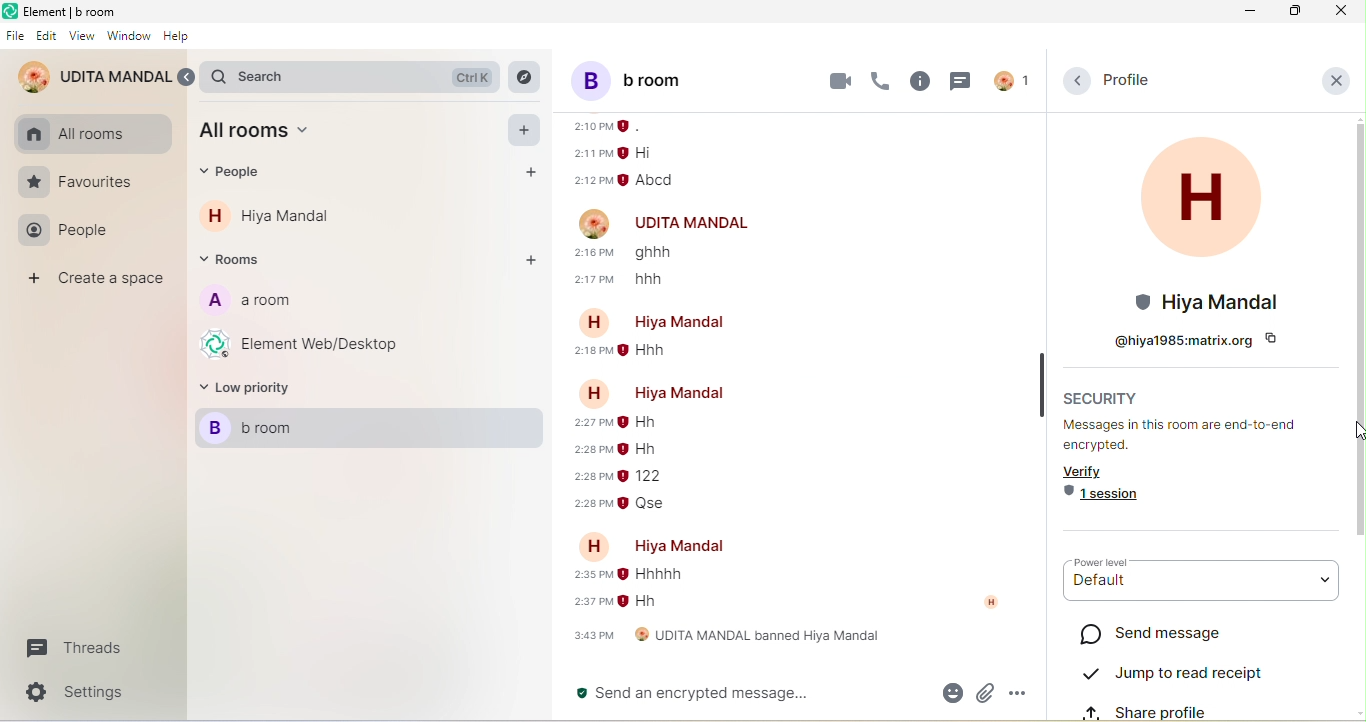 The height and width of the screenshot is (722, 1366). Describe the element at coordinates (189, 78) in the screenshot. I see `expand` at that location.